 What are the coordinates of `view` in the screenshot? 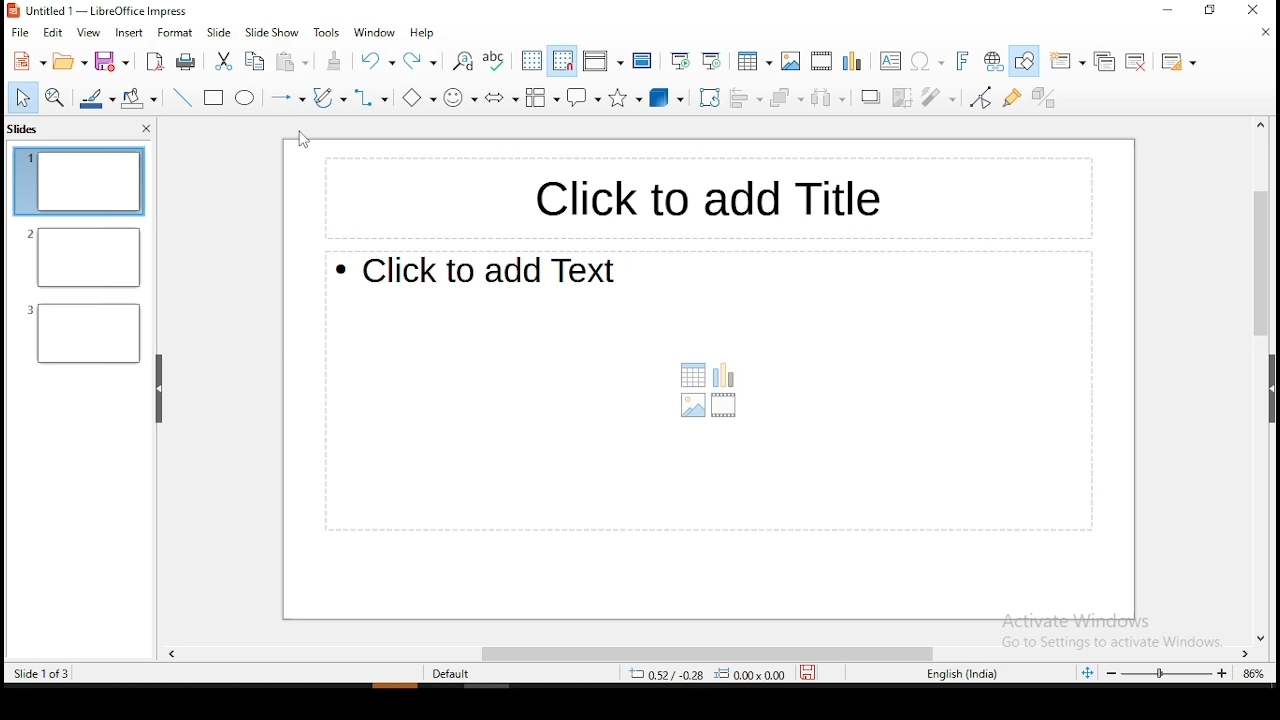 It's located at (87, 33).